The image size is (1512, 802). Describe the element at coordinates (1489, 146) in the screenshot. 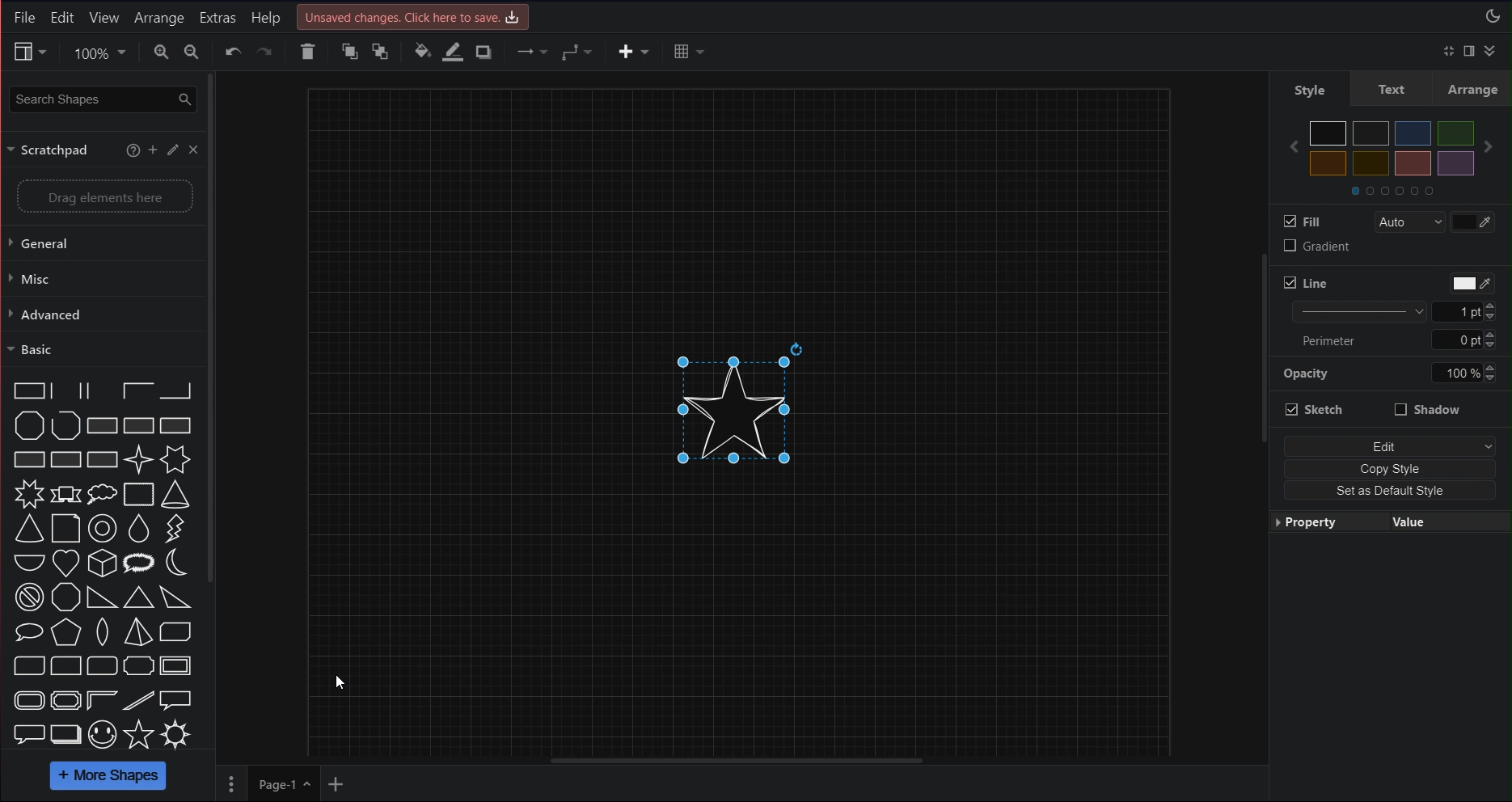

I see `Go Forward` at that location.